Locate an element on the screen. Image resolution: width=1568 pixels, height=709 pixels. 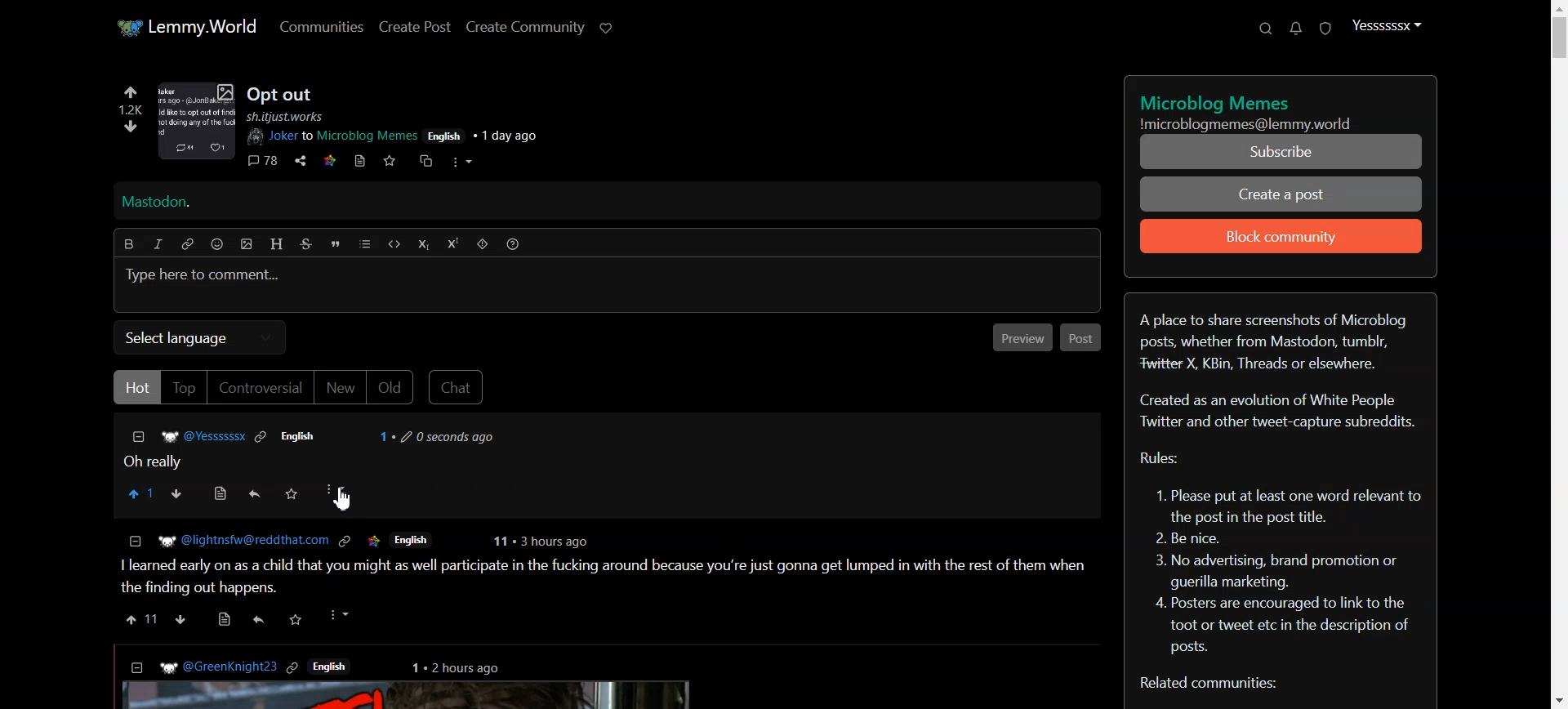
cross share is located at coordinates (430, 161).